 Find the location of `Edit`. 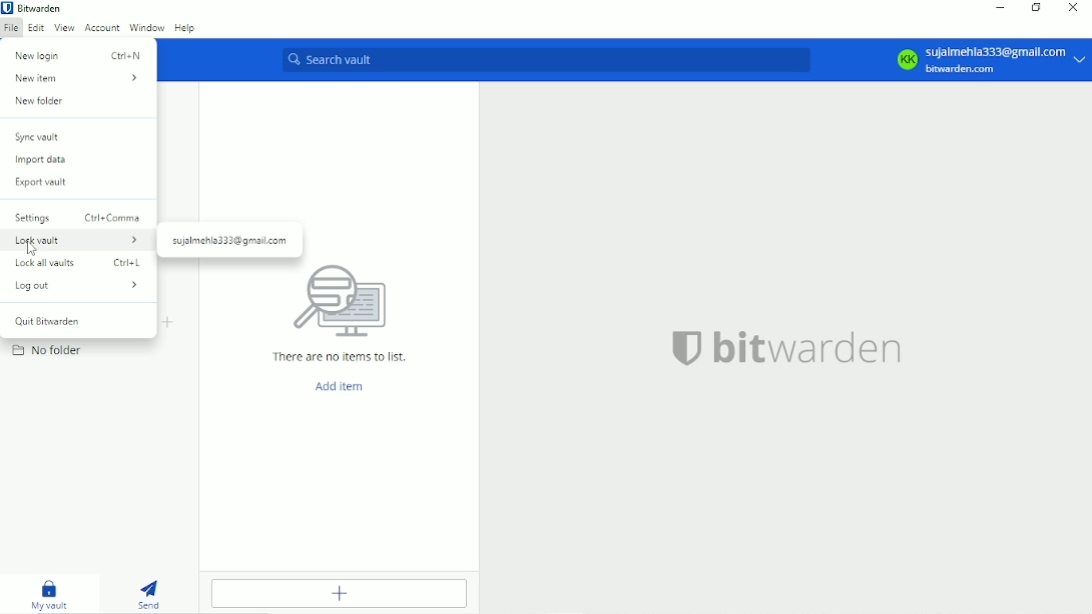

Edit is located at coordinates (35, 29).